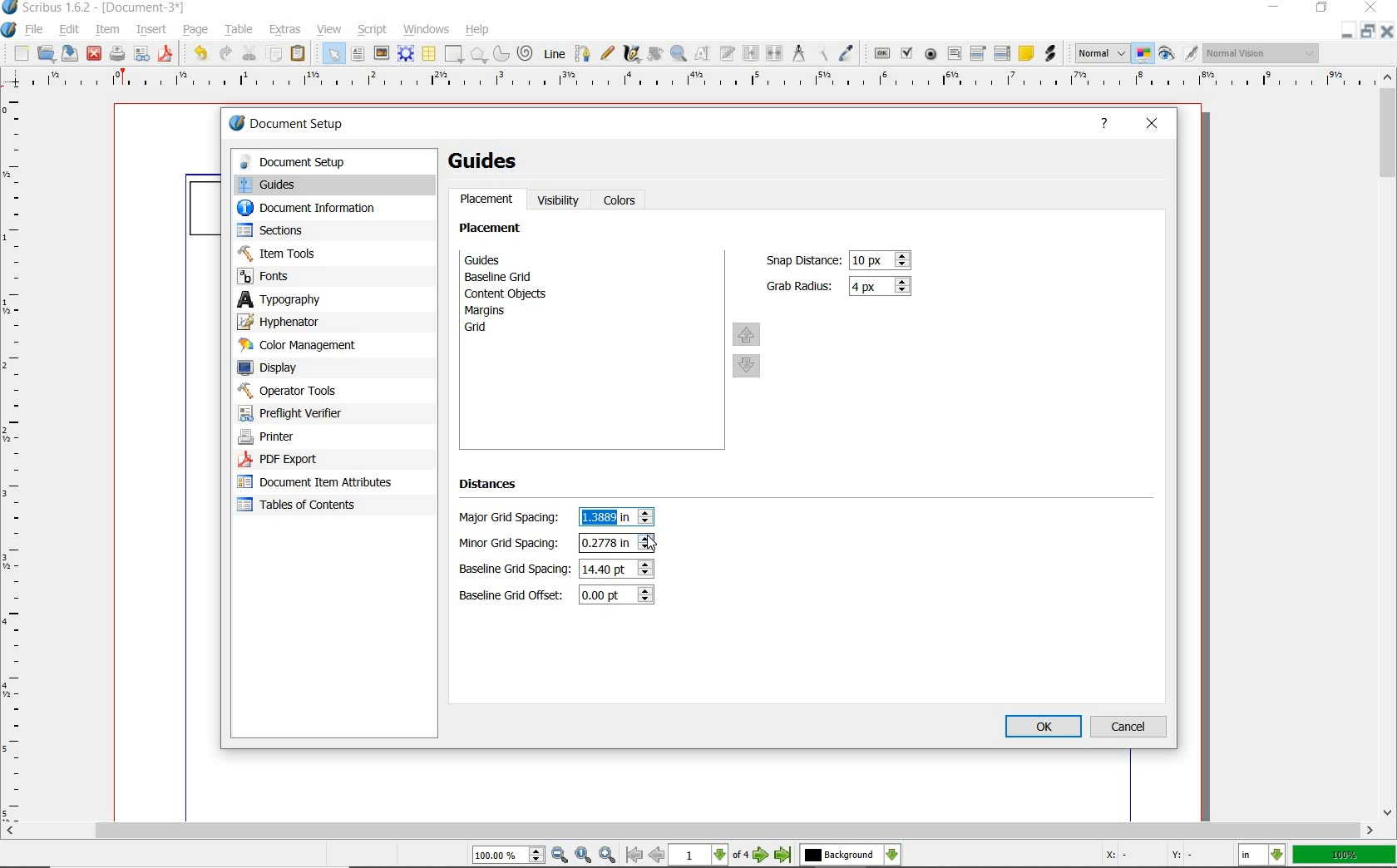  Describe the element at coordinates (324, 253) in the screenshot. I see `item tools` at that location.